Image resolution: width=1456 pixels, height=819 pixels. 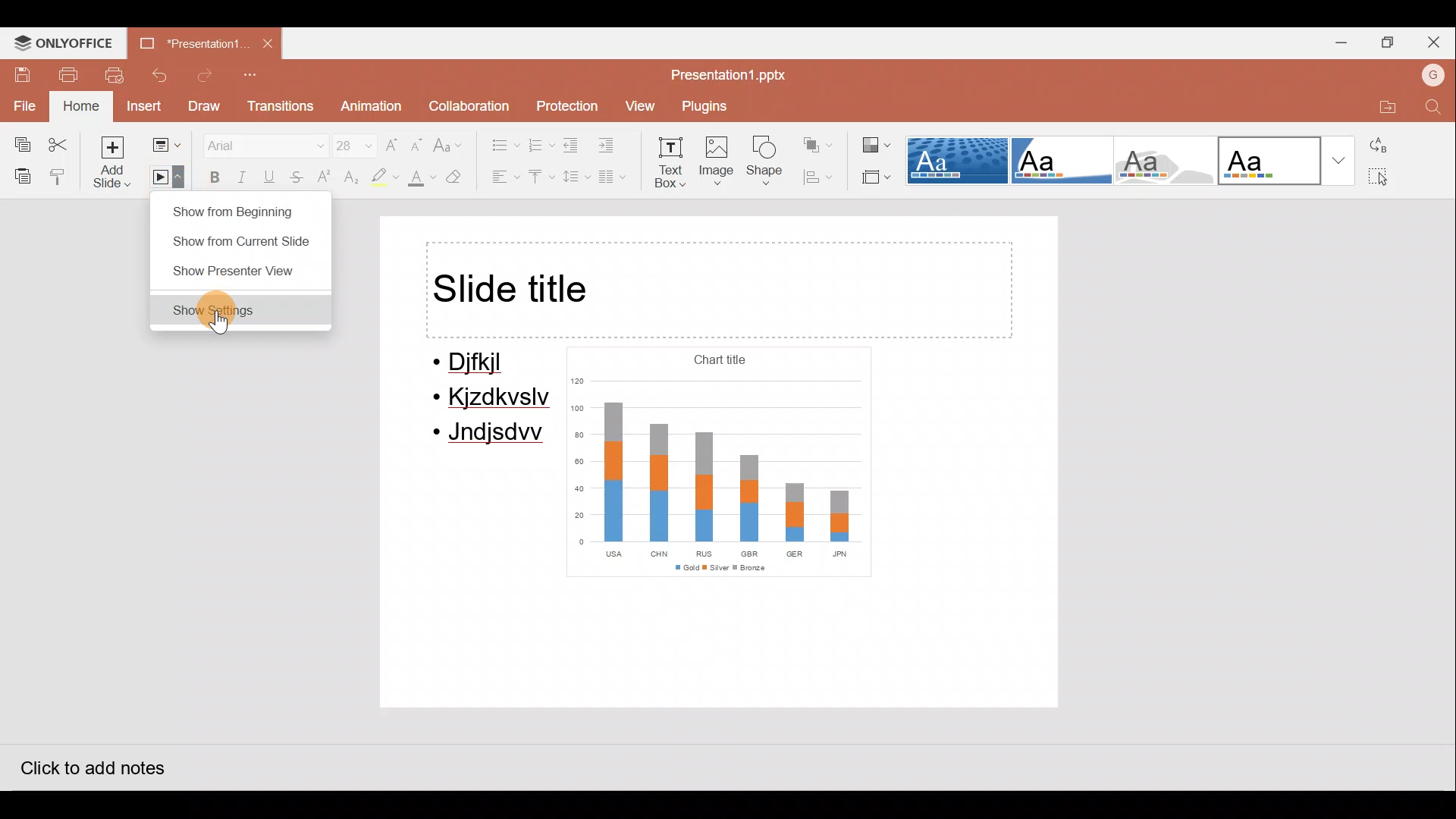 I want to click on cursor, so click(x=221, y=324).